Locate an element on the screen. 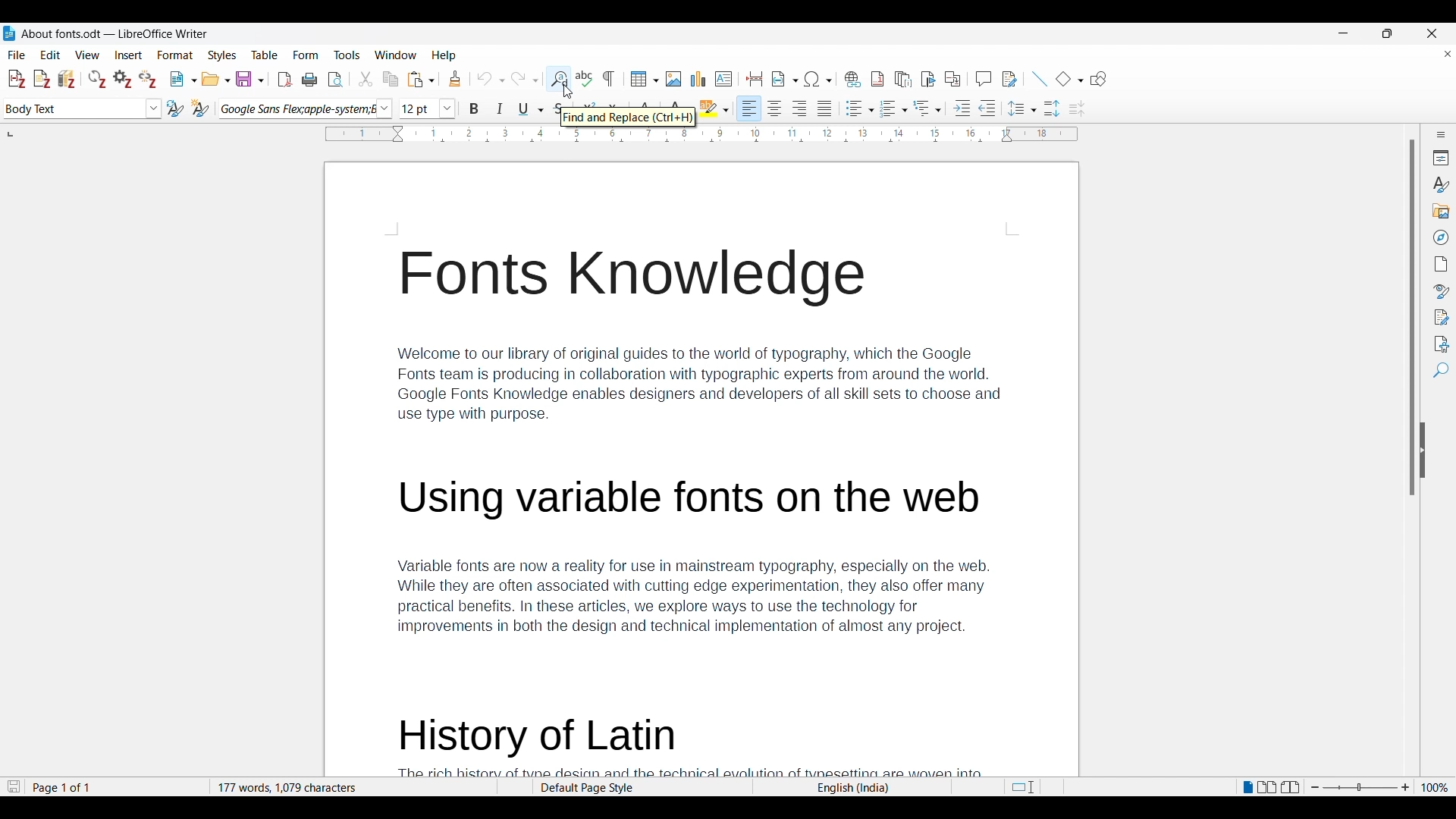 This screenshot has height=819, width=1456. New style from selection is located at coordinates (201, 108).